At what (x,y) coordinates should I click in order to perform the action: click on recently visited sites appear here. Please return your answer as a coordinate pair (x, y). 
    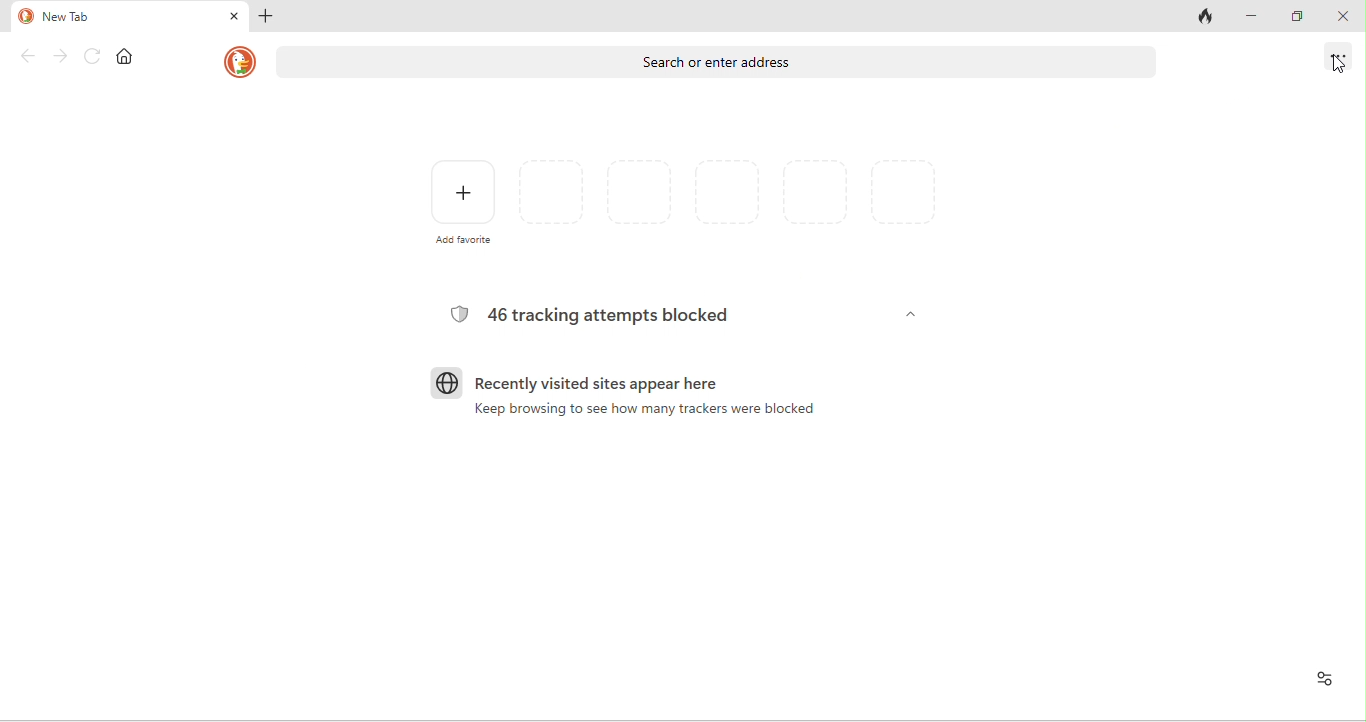
    Looking at the image, I should click on (589, 385).